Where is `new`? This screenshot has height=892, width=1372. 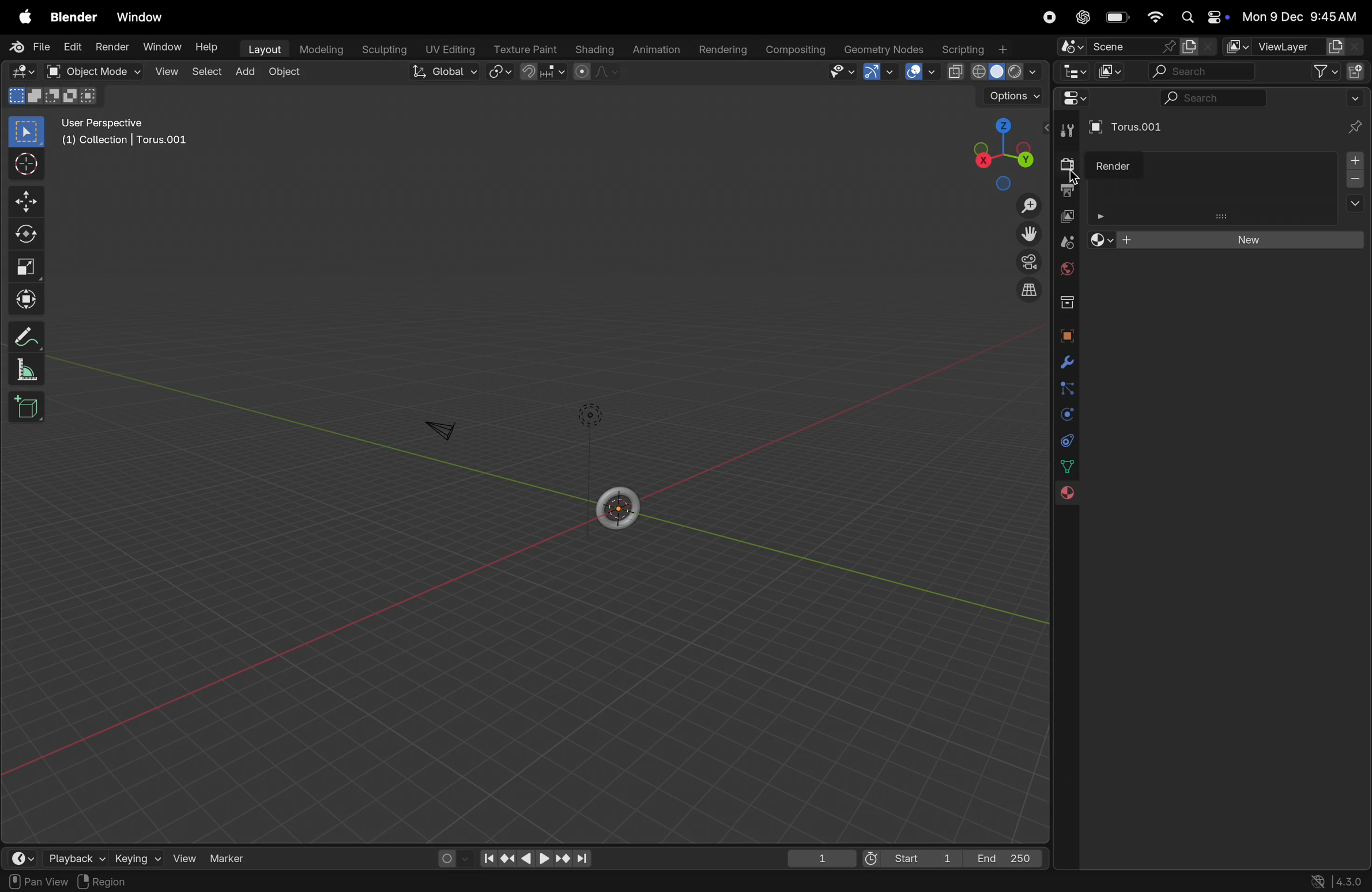
new is located at coordinates (1227, 239).